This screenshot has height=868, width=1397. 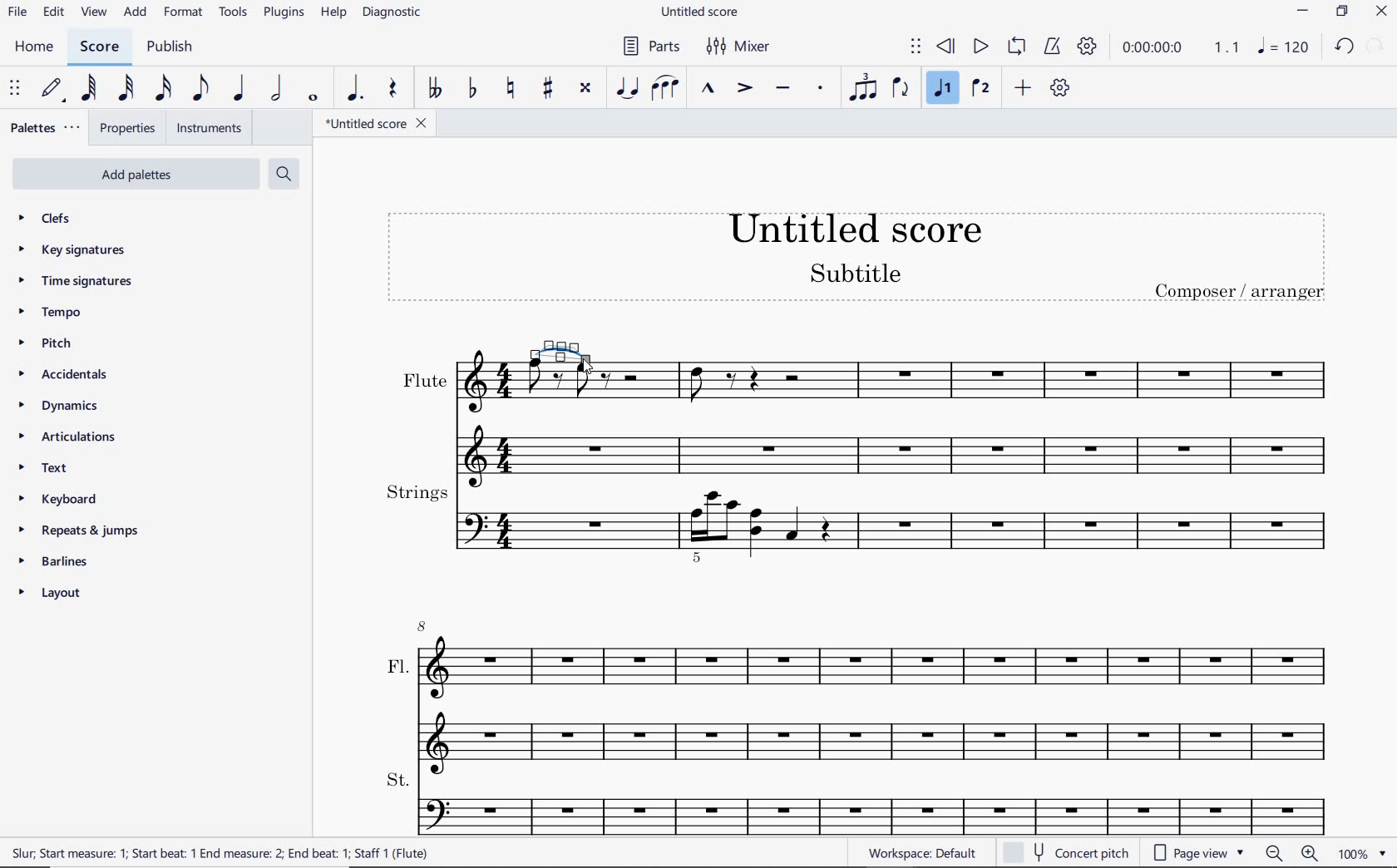 I want to click on PLAY, so click(x=980, y=45).